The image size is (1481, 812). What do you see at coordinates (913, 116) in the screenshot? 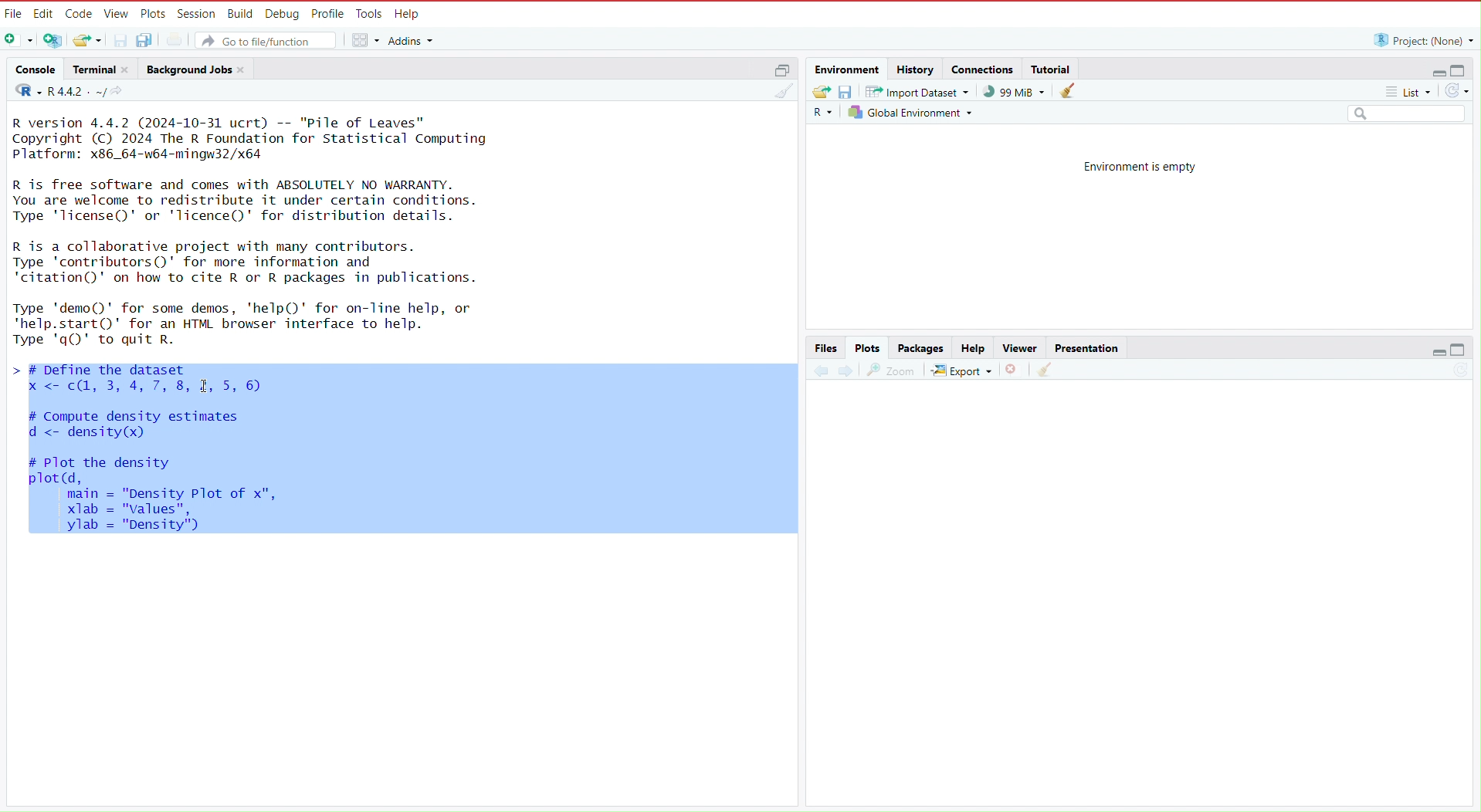
I see `global environment` at bounding box center [913, 116].